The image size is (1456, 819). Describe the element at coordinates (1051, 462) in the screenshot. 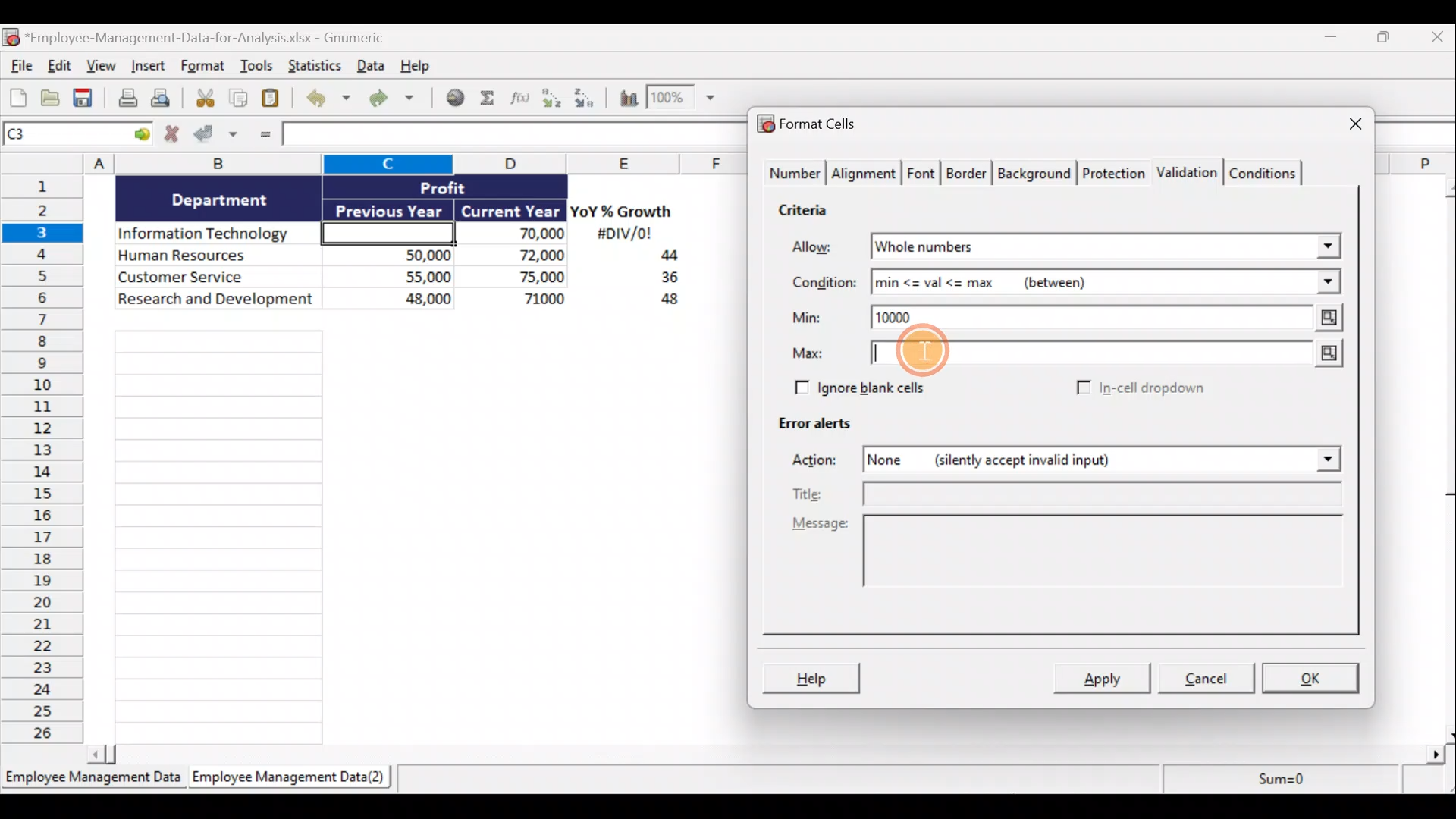

I see `None (silently accept invalid input)` at that location.